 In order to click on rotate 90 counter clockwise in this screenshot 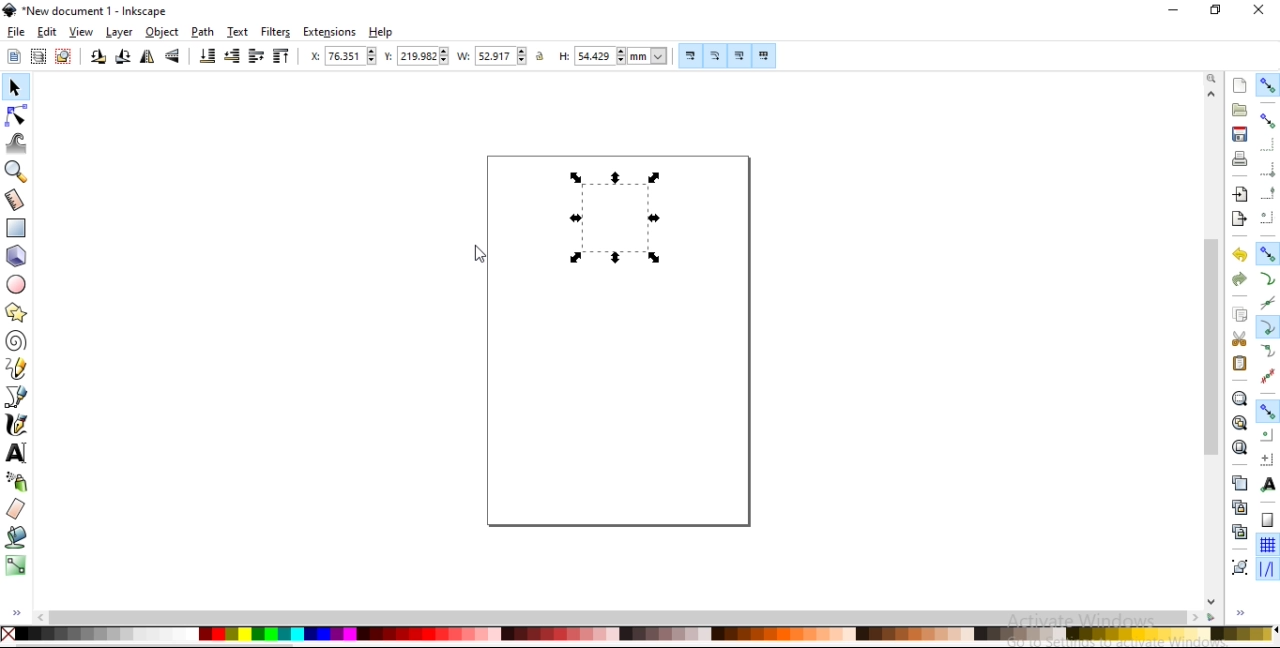, I will do `click(98, 59)`.